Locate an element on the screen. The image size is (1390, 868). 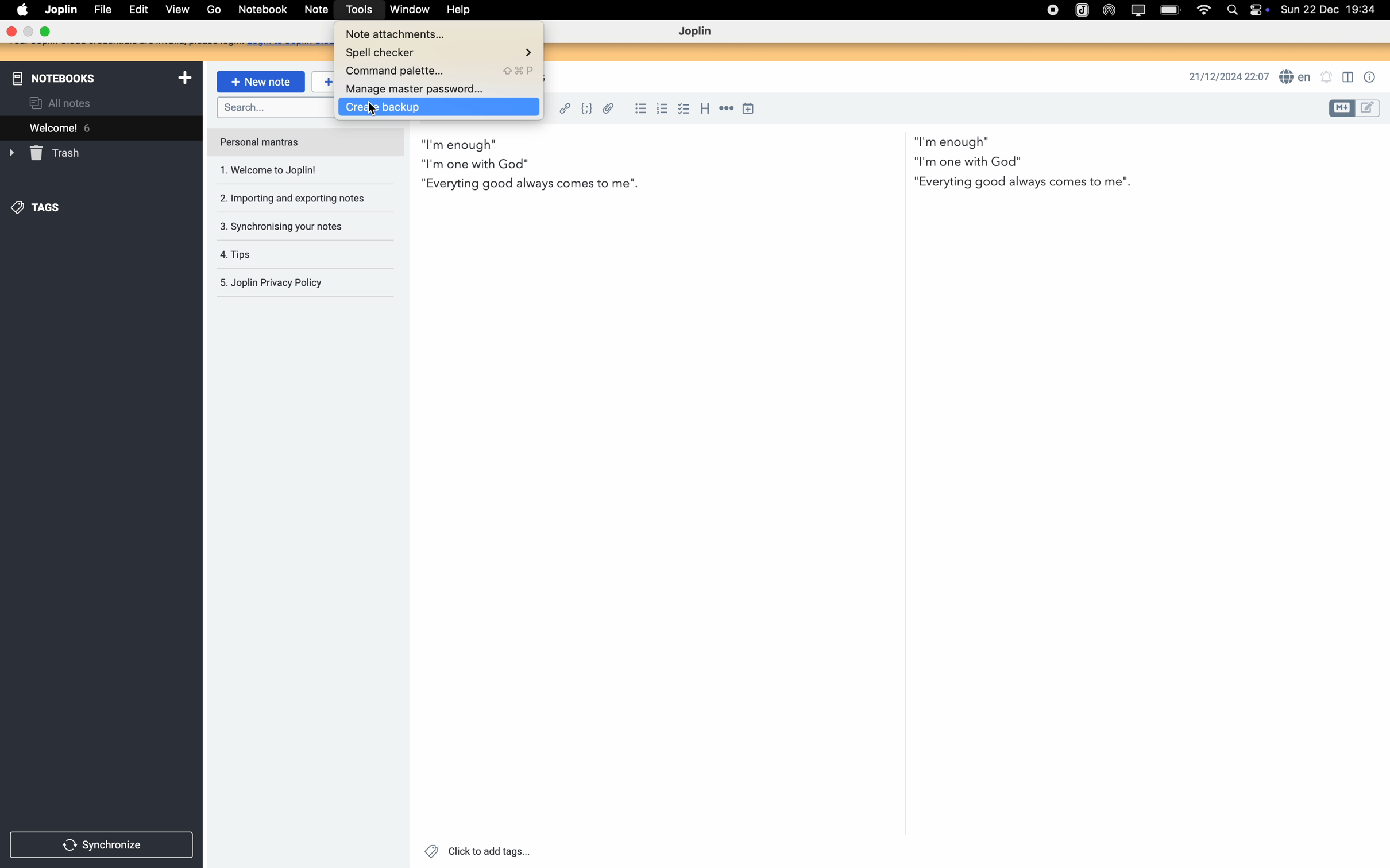
view is located at coordinates (179, 10).